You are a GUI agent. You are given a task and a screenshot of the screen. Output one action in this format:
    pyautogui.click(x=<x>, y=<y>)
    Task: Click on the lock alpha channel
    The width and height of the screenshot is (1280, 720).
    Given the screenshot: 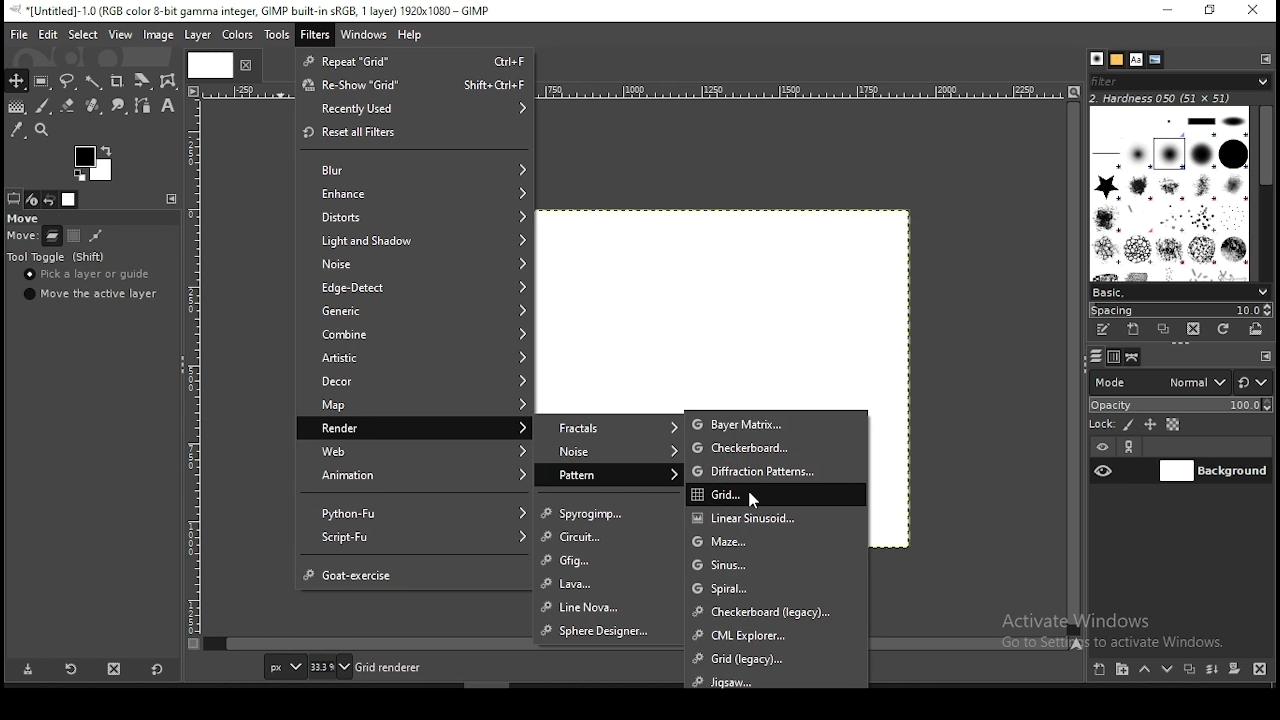 What is the action you would take?
    pyautogui.click(x=1174, y=424)
    